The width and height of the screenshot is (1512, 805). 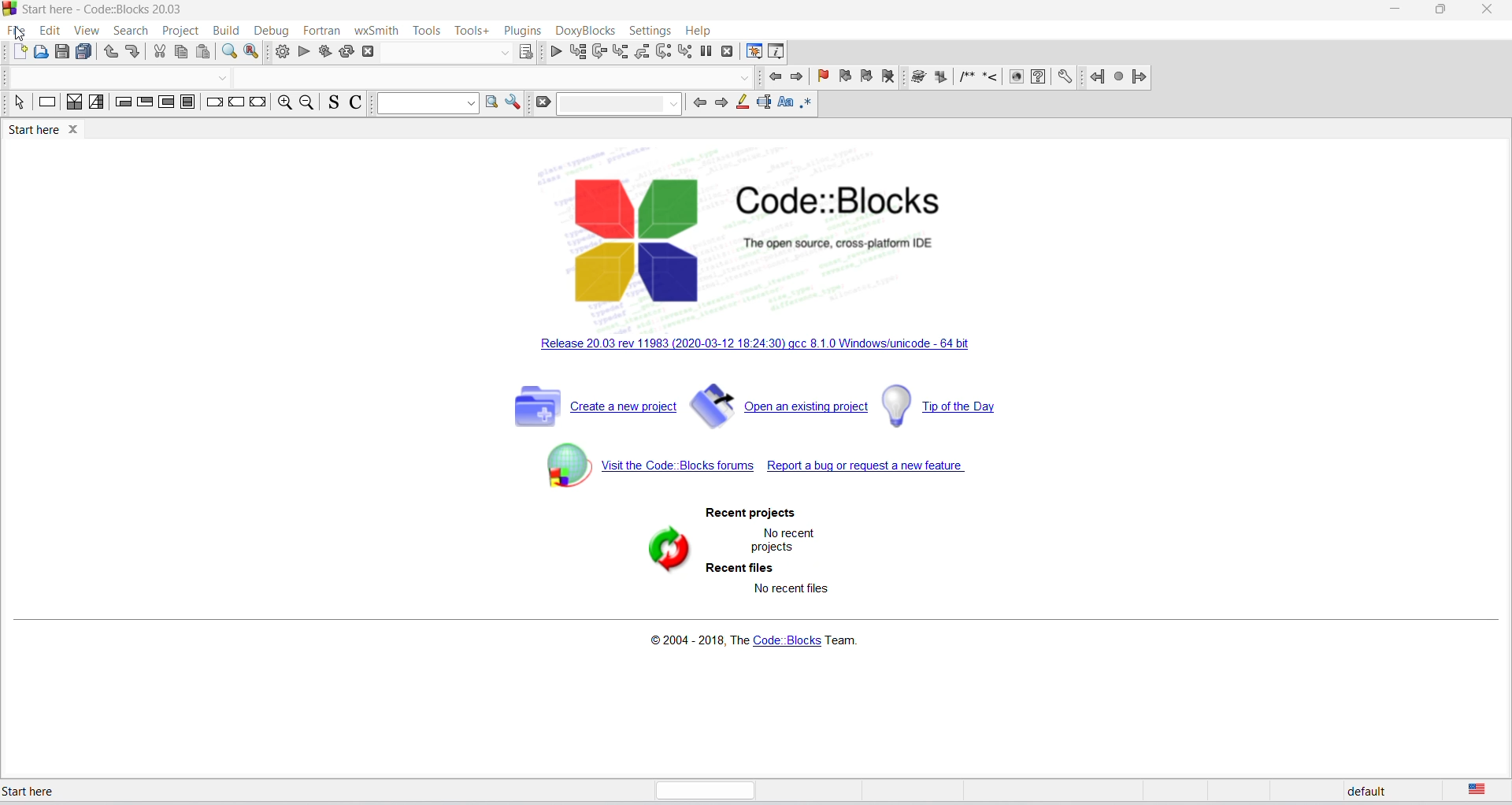 I want to click on new file, so click(x=20, y=54).